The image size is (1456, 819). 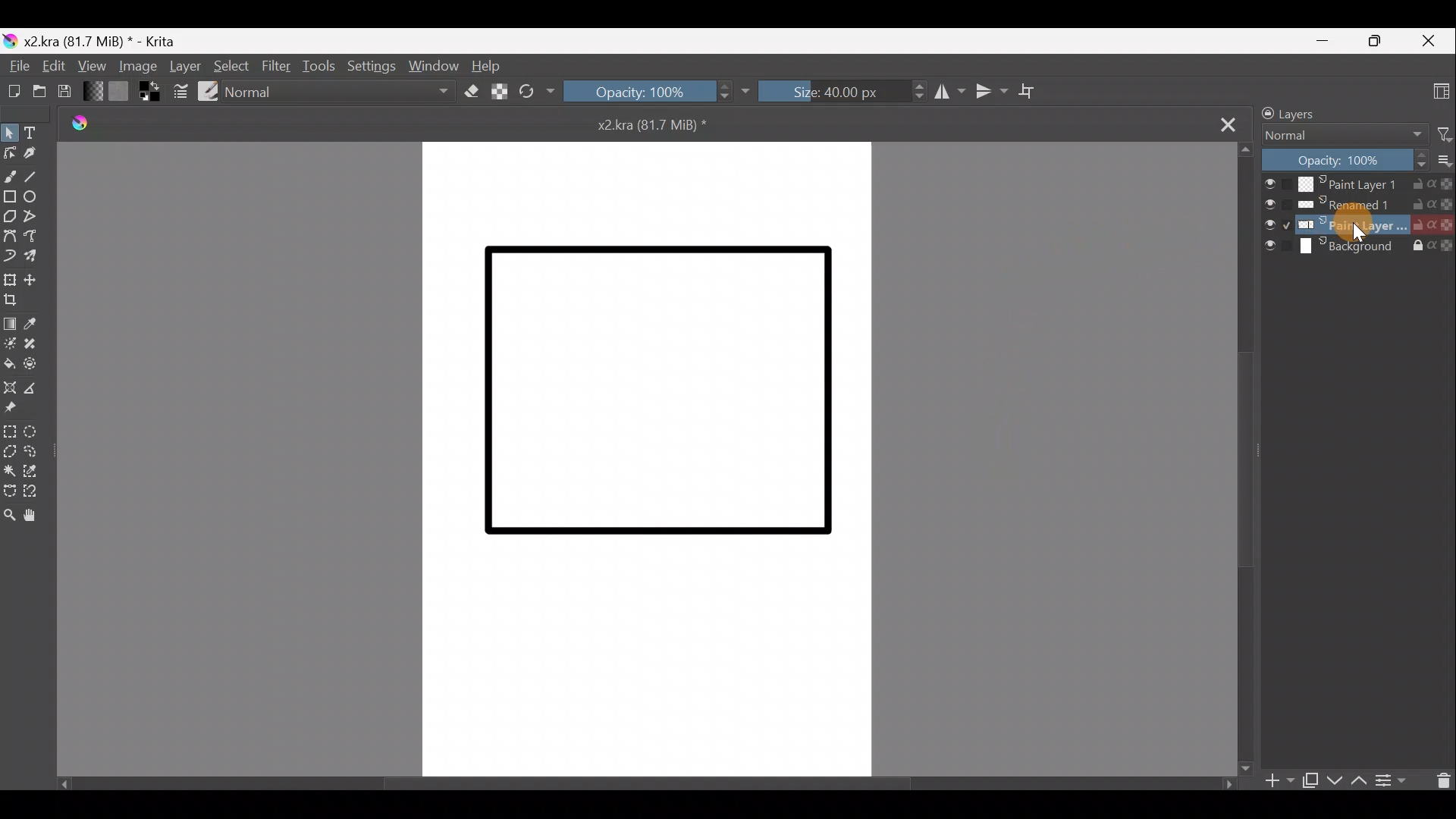 What do you see at coordinates (1444, 161) in the screenshot?
I see `More` at bounding box center [1444, 161].